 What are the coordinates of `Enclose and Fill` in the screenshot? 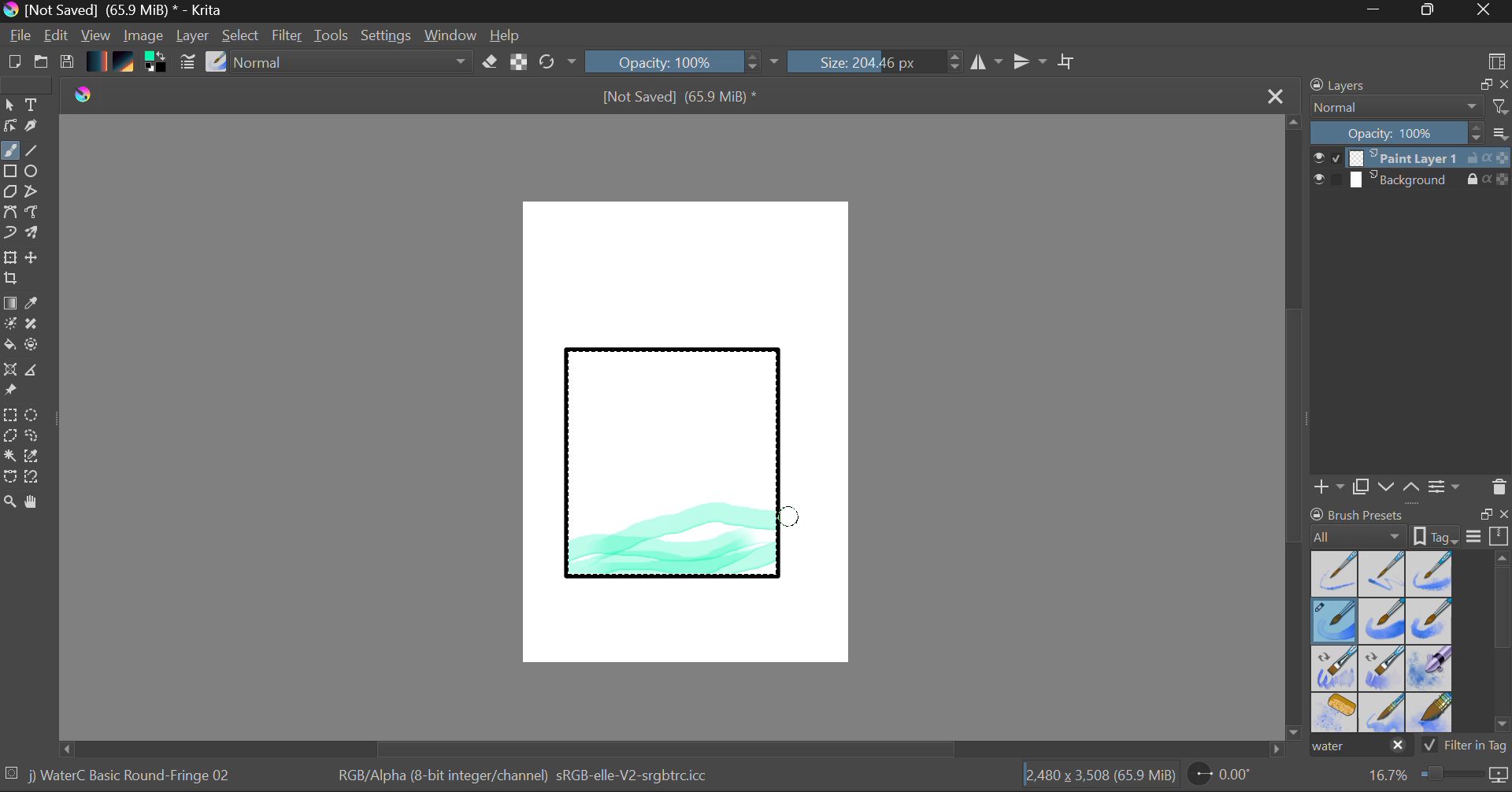 It's located at (35, 346).